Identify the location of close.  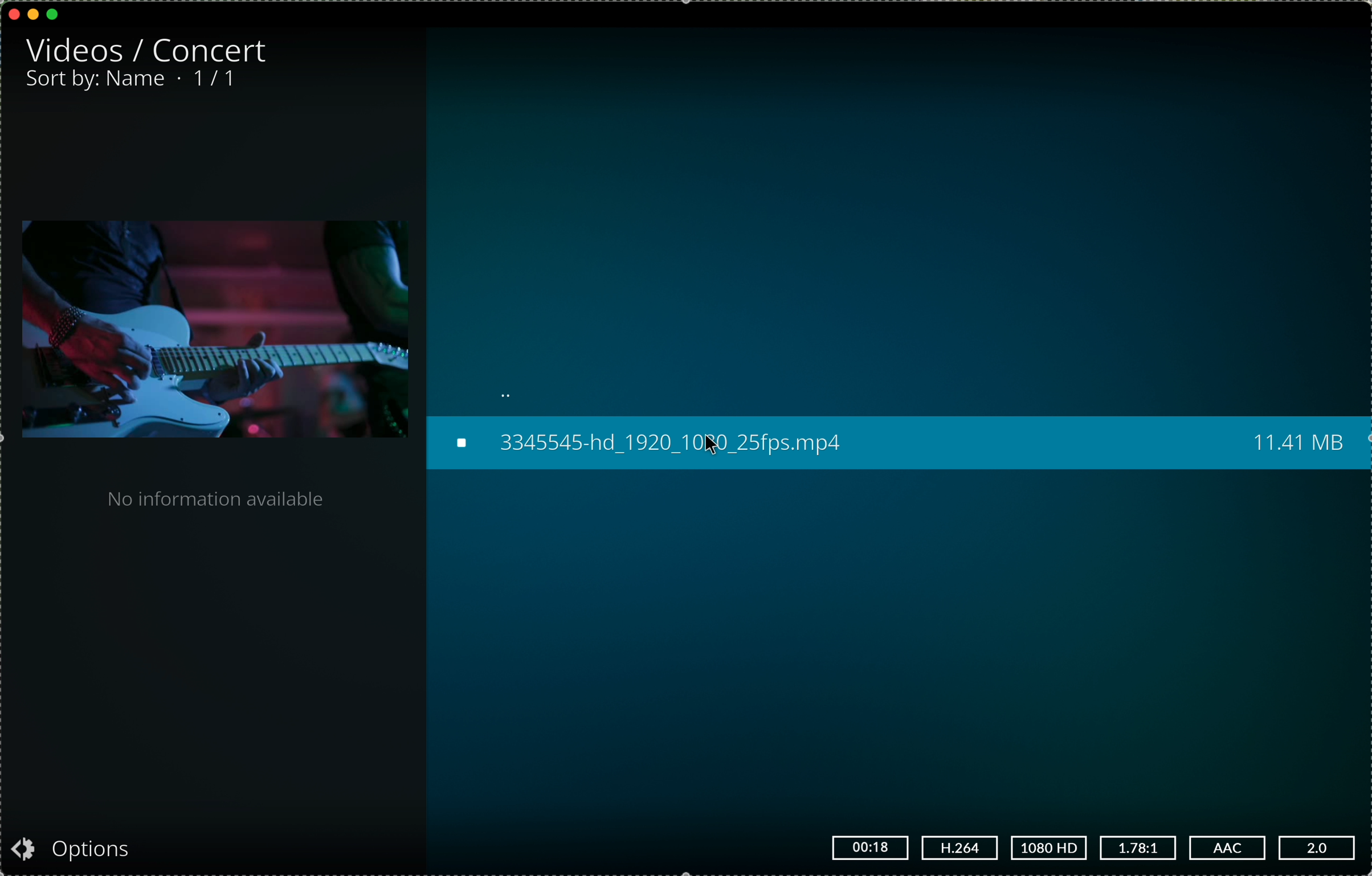
(15, 14).